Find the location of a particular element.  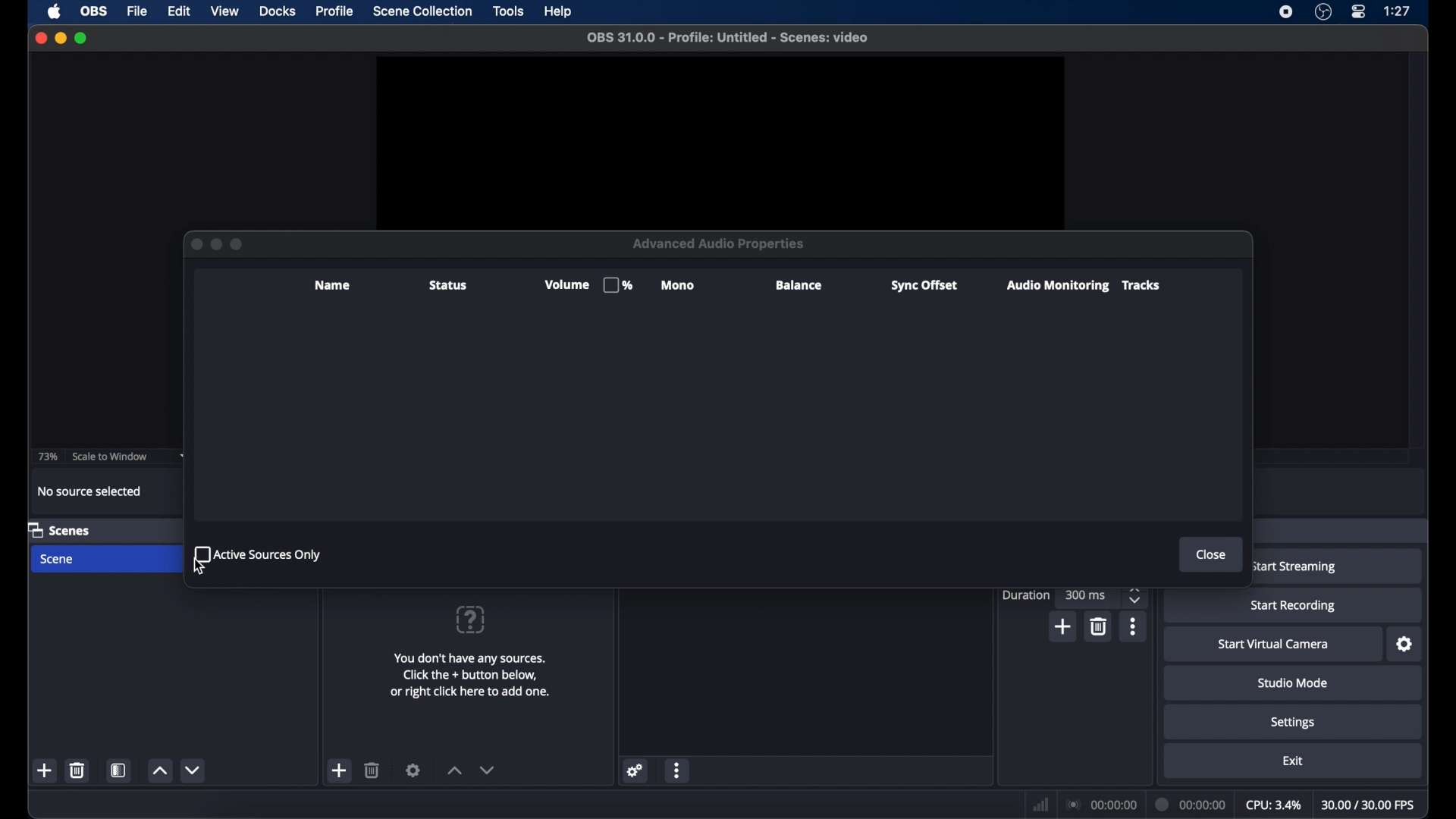

73% is located at coordinates (46, 457).